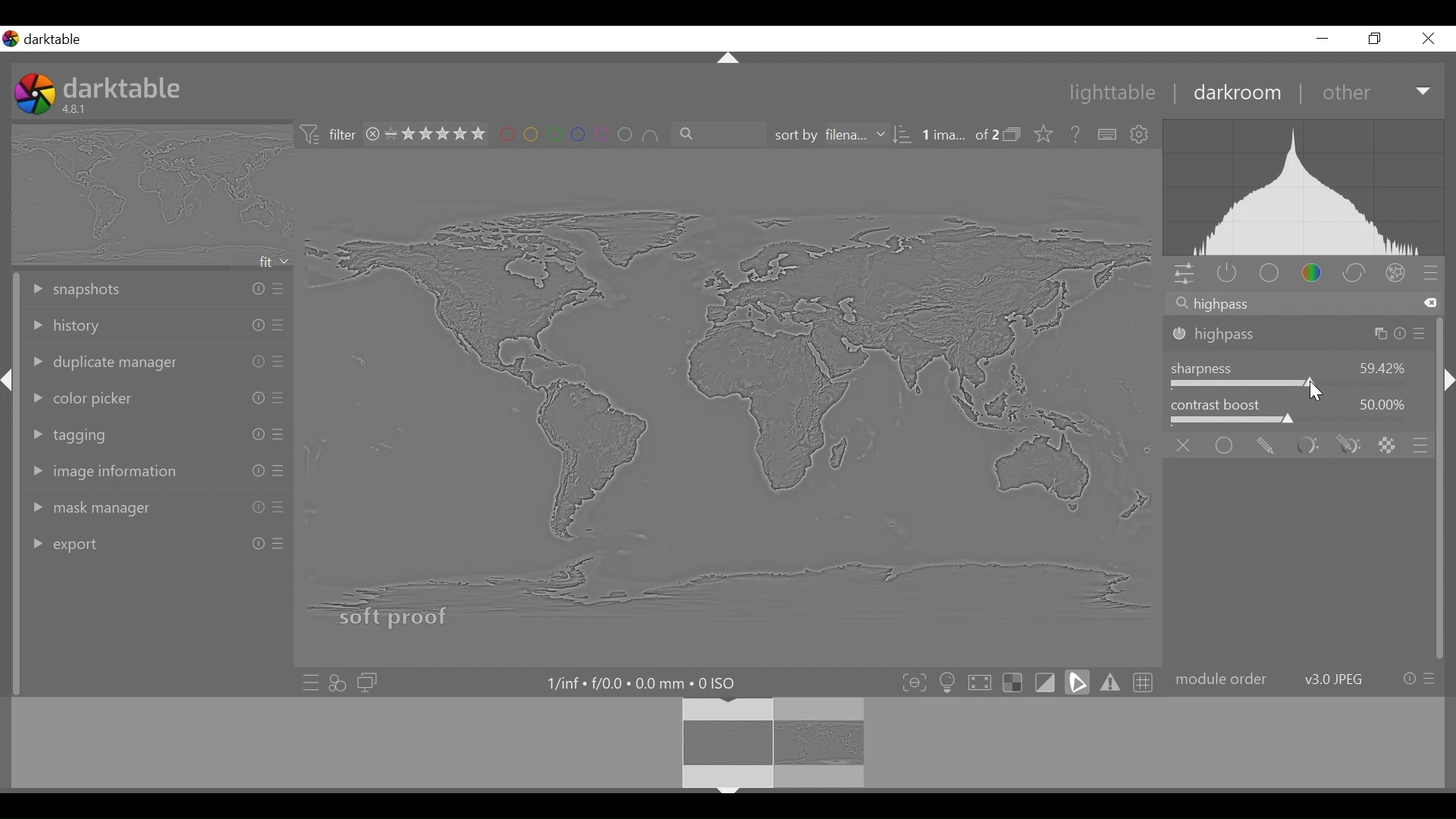  What do you see at coordinates (1113, 93) in the screenshot?
I see `lightable` at bounding box center [1113, 93].